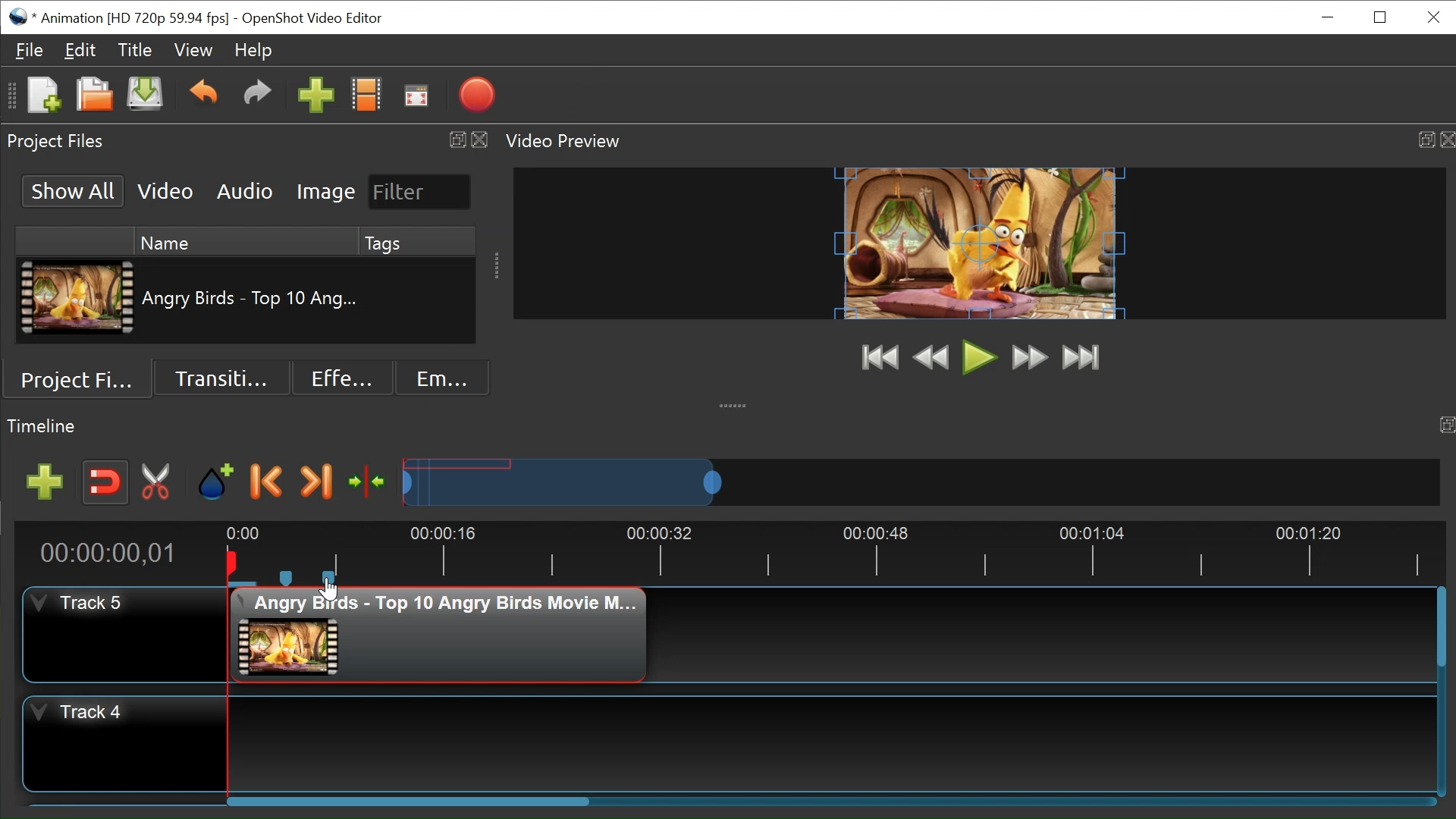 The width and height of the screenshot is (1456, 819). I want to click on Redo, so click(257, 99).